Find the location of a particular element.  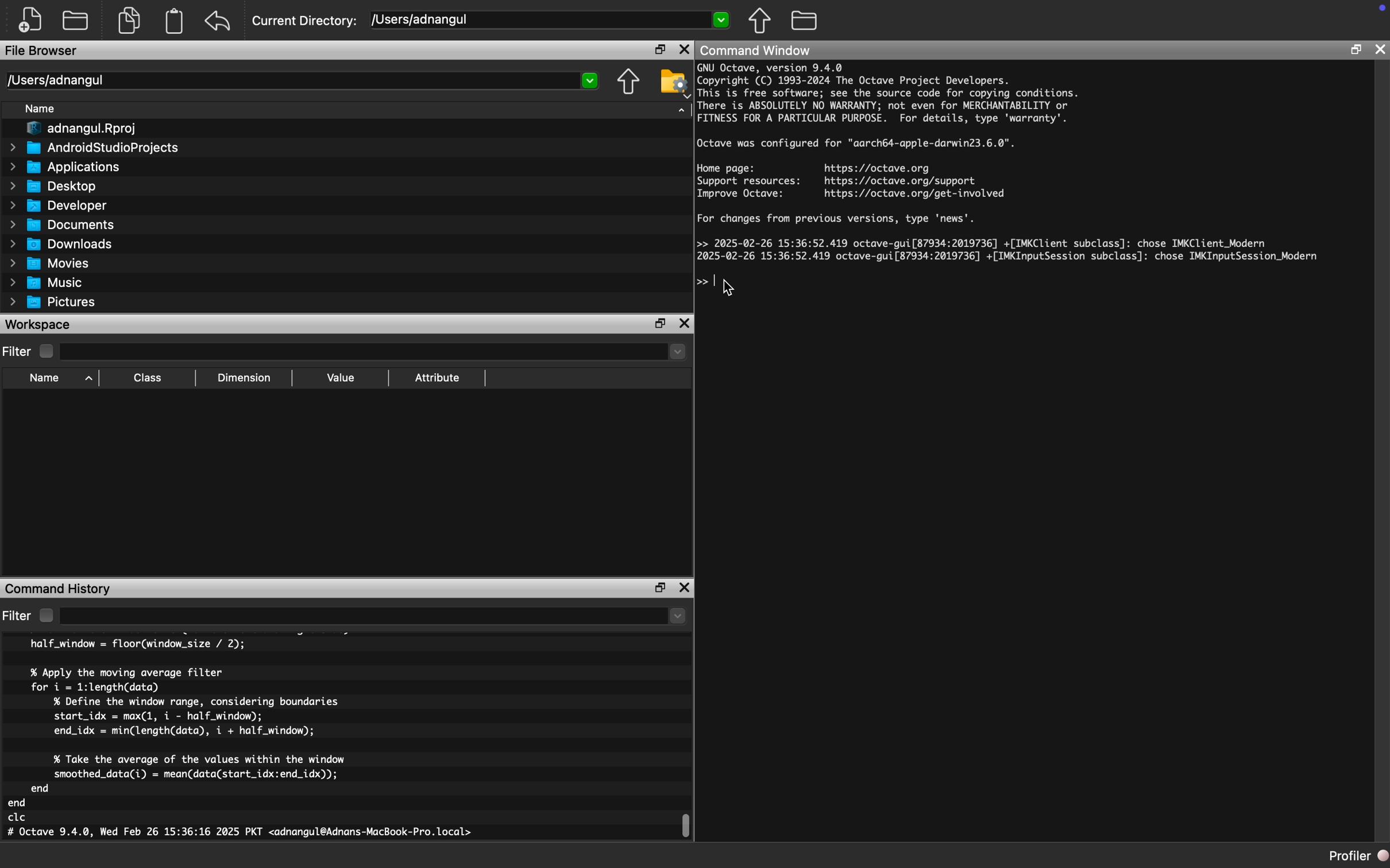

# Octave 9.4.0, Wed Feb 26 15:36:16 2025 PKT <adnangul@Adnans-MacBook-Pro.local> is located at coordinates (241, 834).